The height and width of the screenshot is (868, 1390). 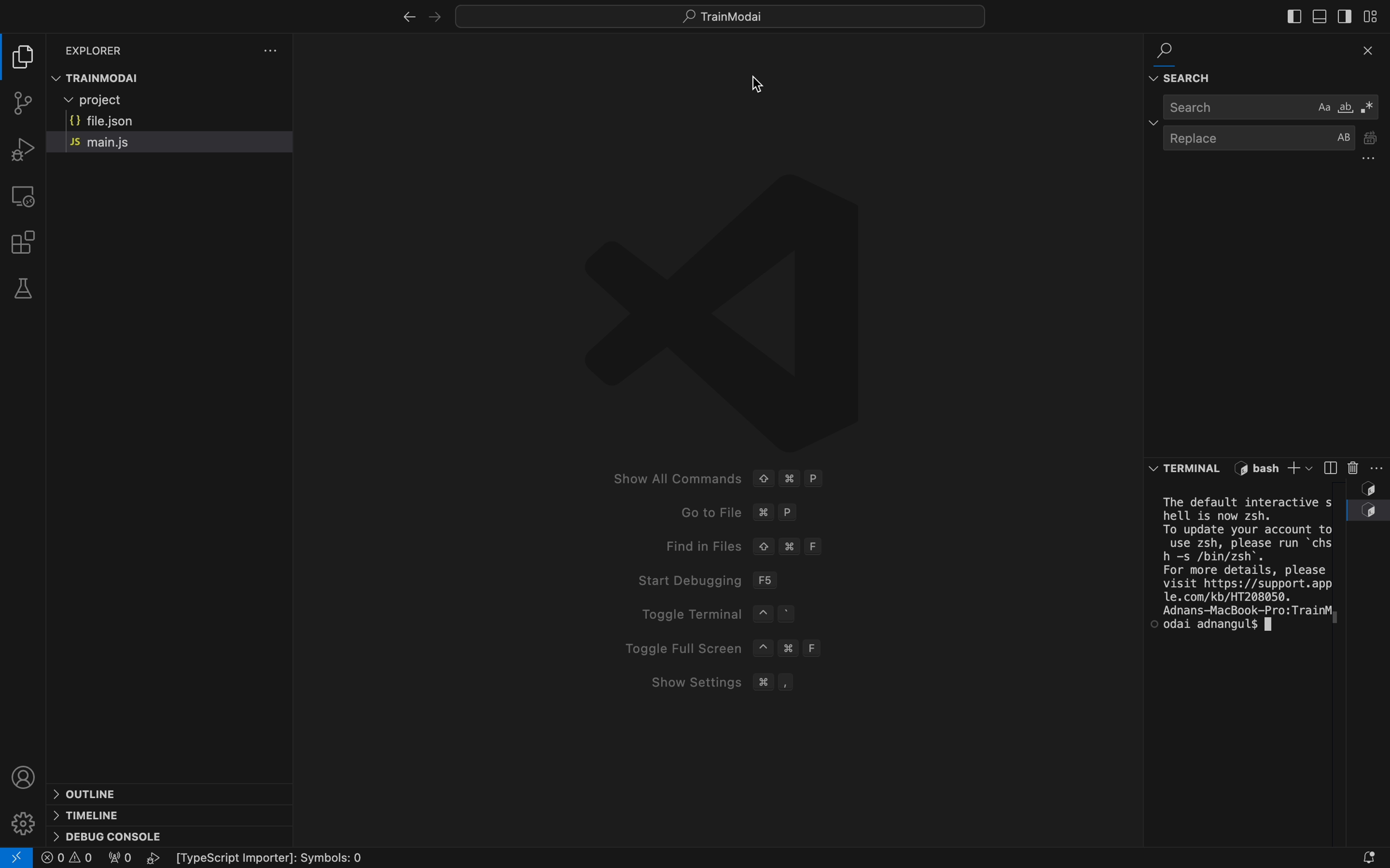 What do you see at coordinates (741, 310) in the screenshot?
I see `Logo` at bounding box center [741, 310].